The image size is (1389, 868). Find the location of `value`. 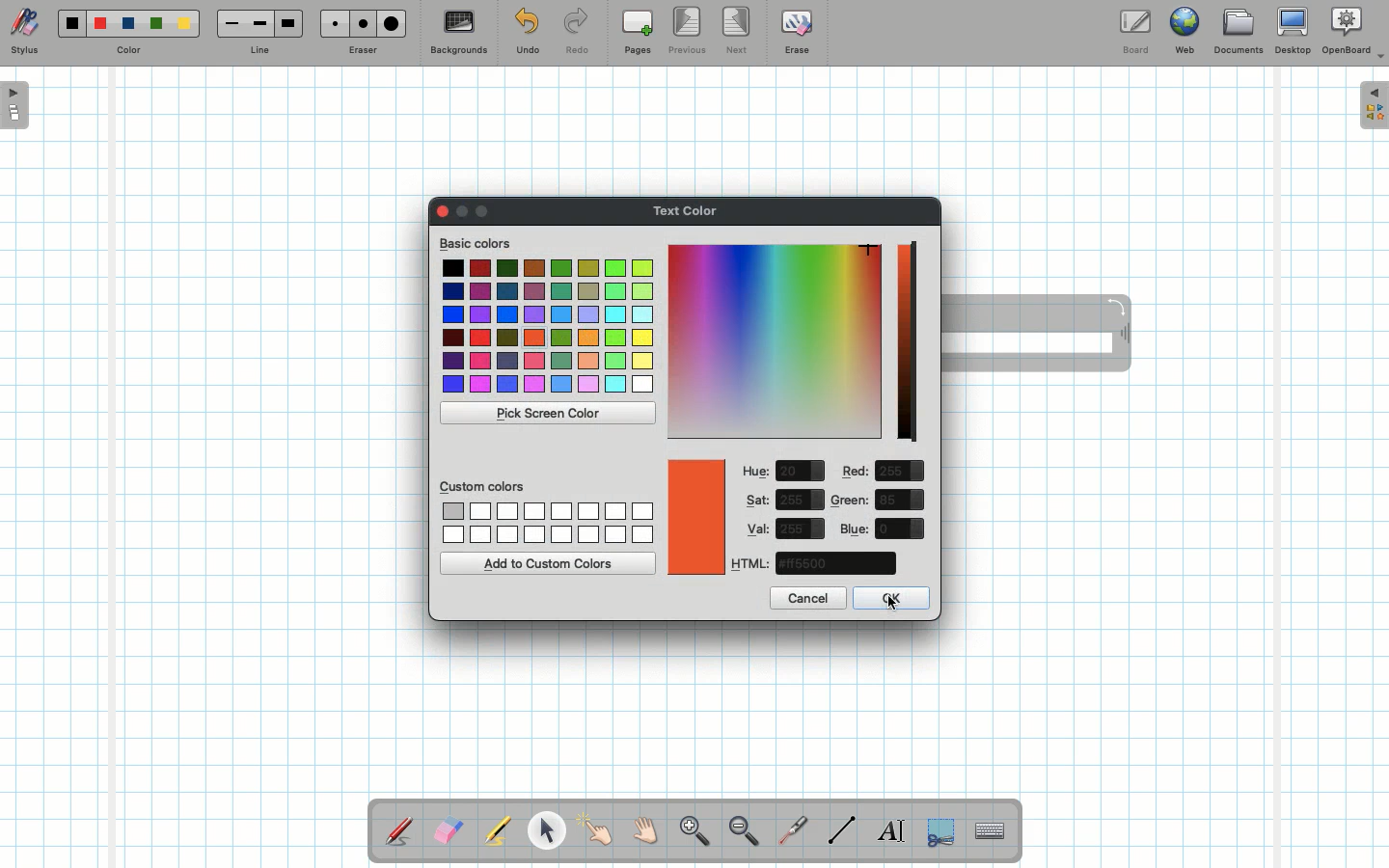

value is located at coordinates (901, 500).